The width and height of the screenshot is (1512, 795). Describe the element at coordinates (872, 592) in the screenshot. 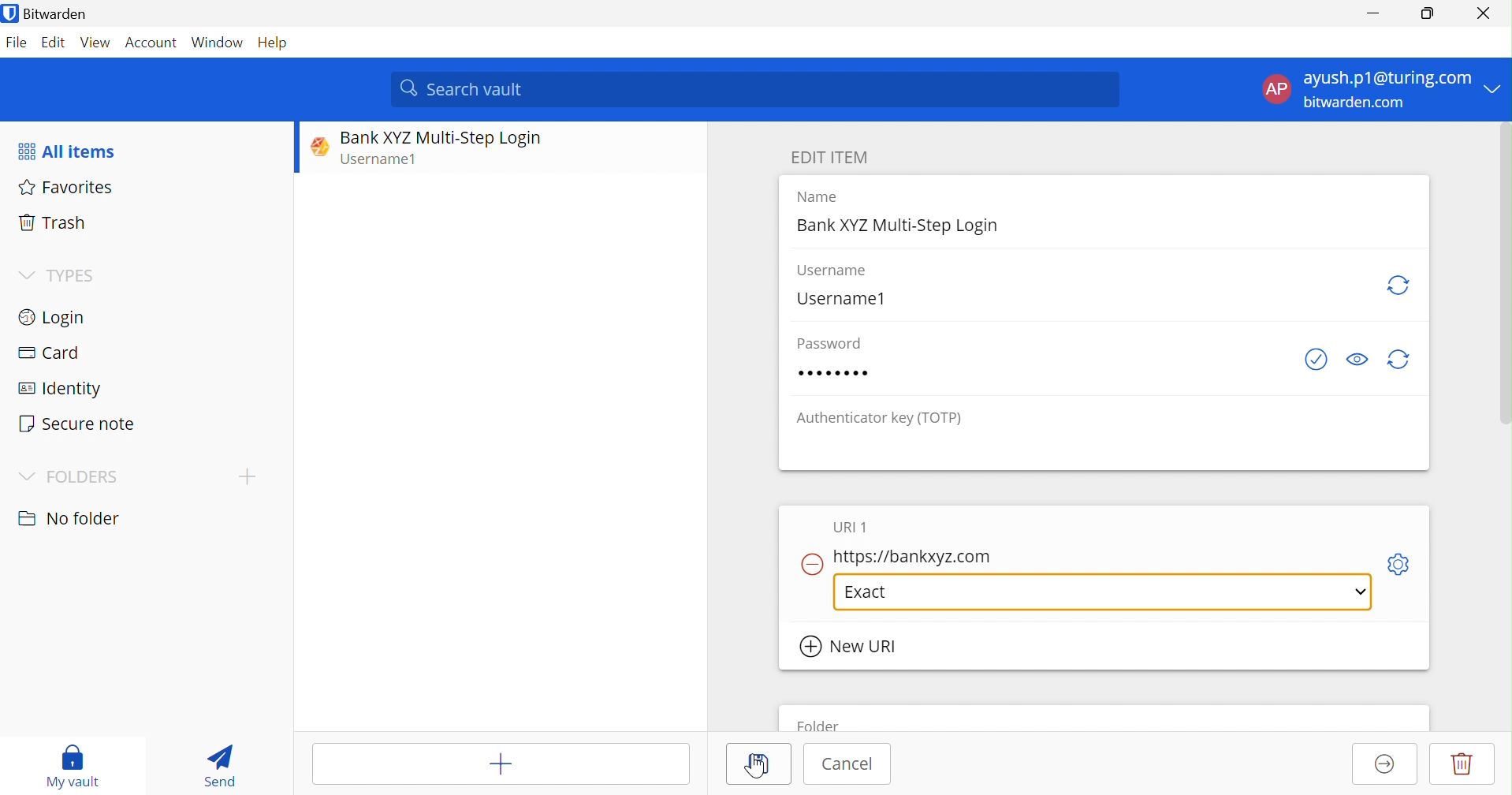

I see `Exact` at that location.